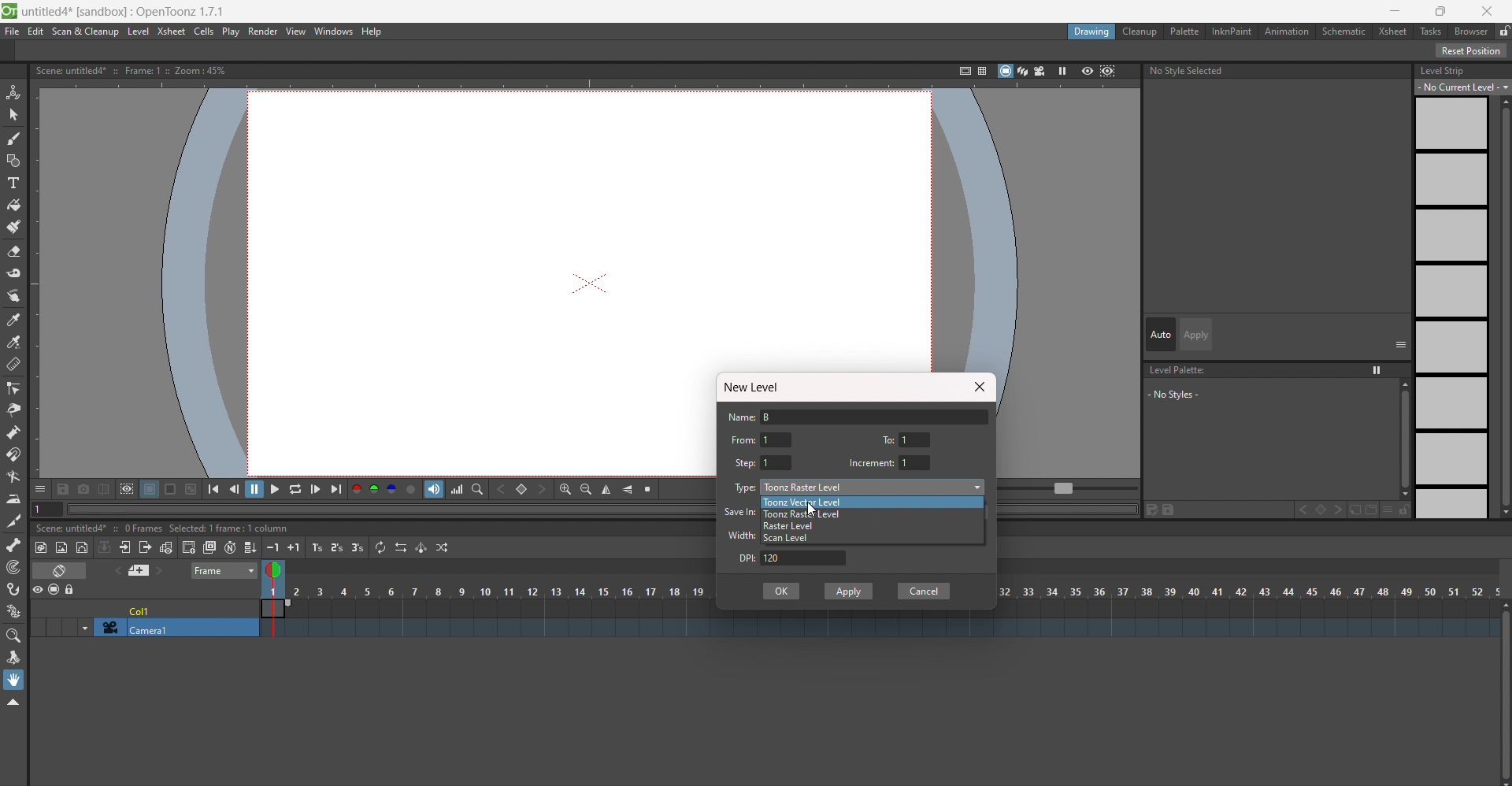  What do you see at coordinates (126, 489) in the screenshot?
I see `tool` at bounding box center [126, 489].